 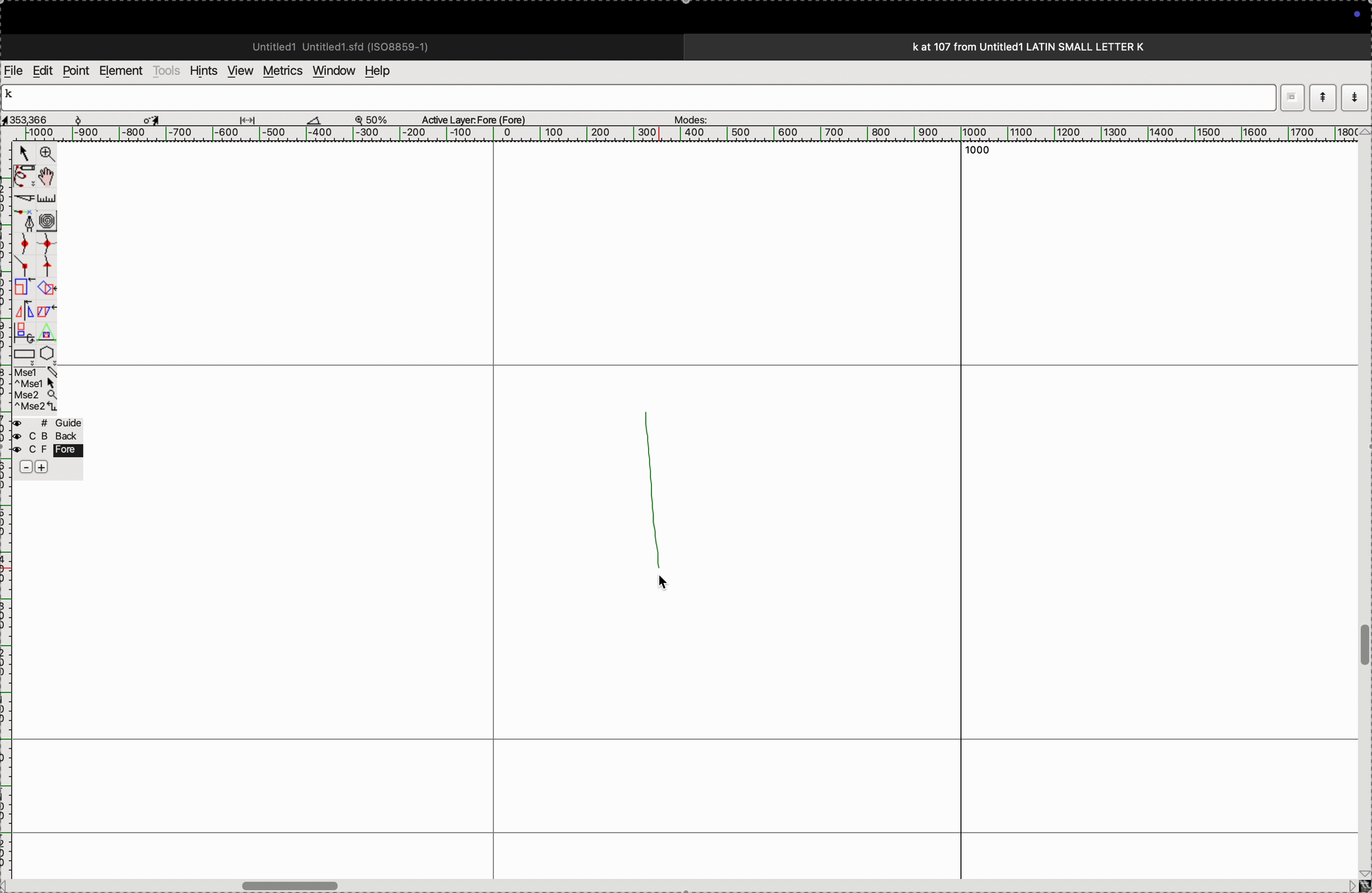 What do you see at coordinates (24, 155) in the screenshot?
I see `cursor` at bounding box center [24, 155].